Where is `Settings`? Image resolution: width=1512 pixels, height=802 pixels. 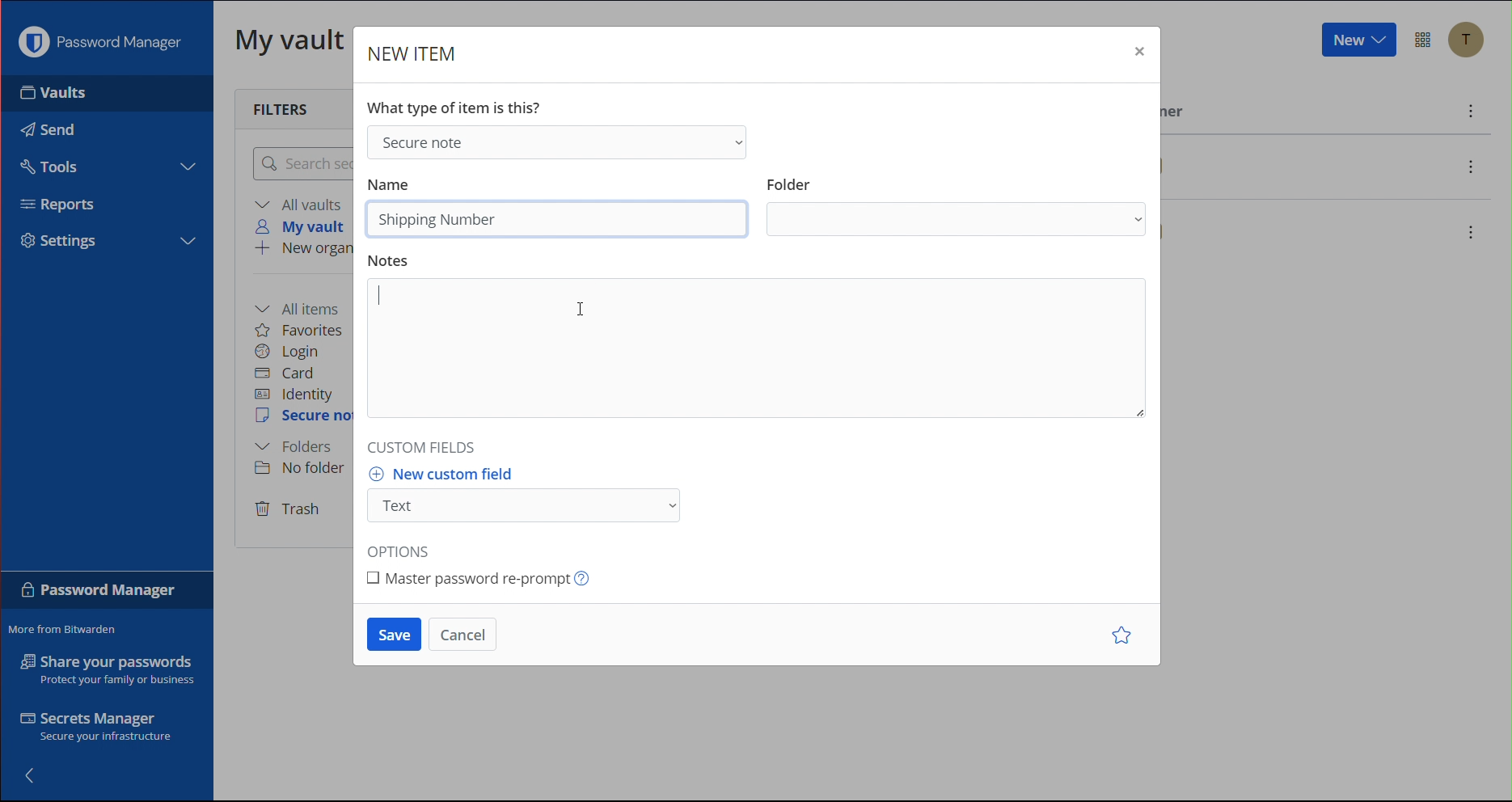 Settings is located at coordinates (59, 243).